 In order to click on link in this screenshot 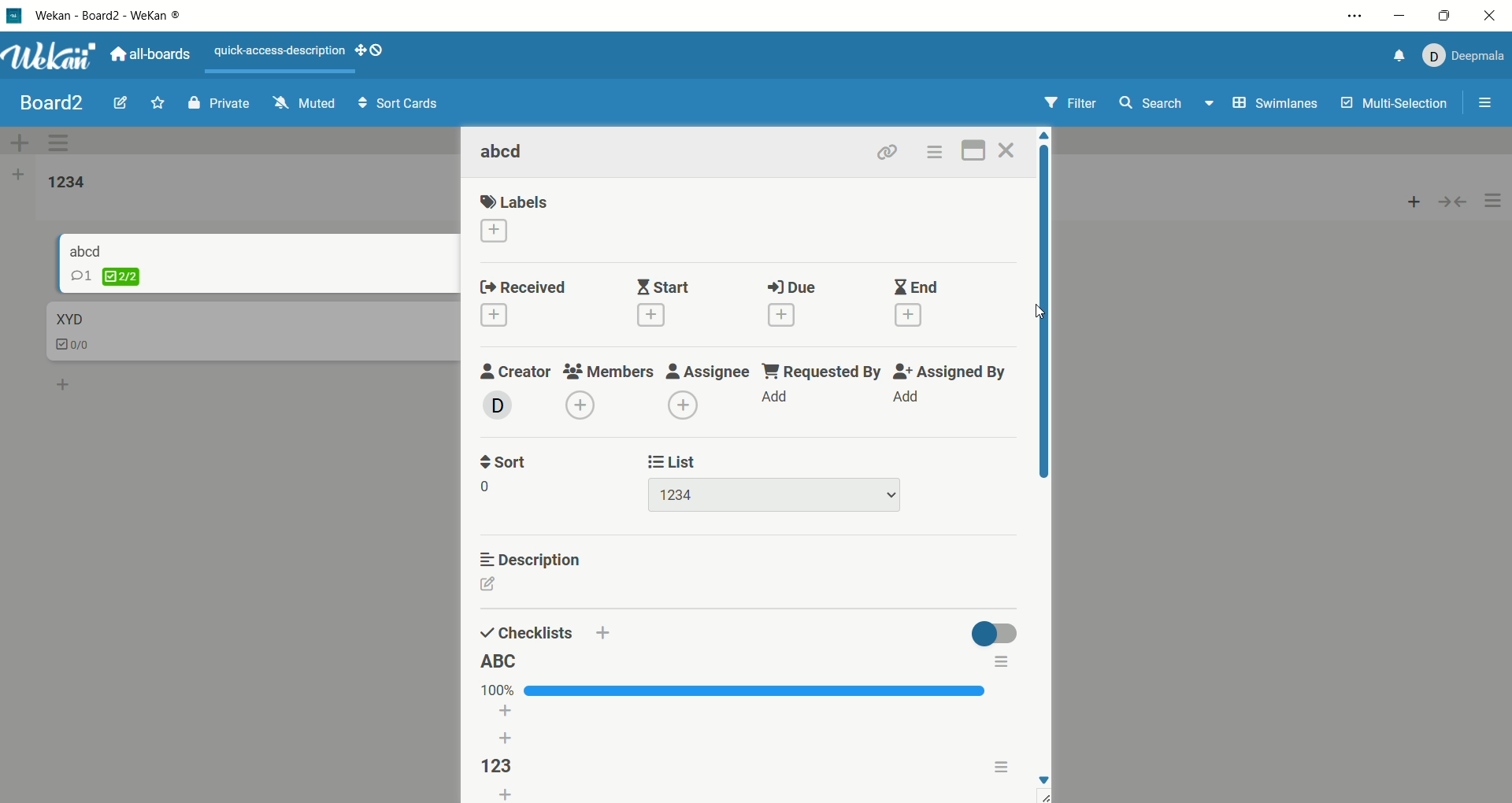, I will do `click(888, 151)`.